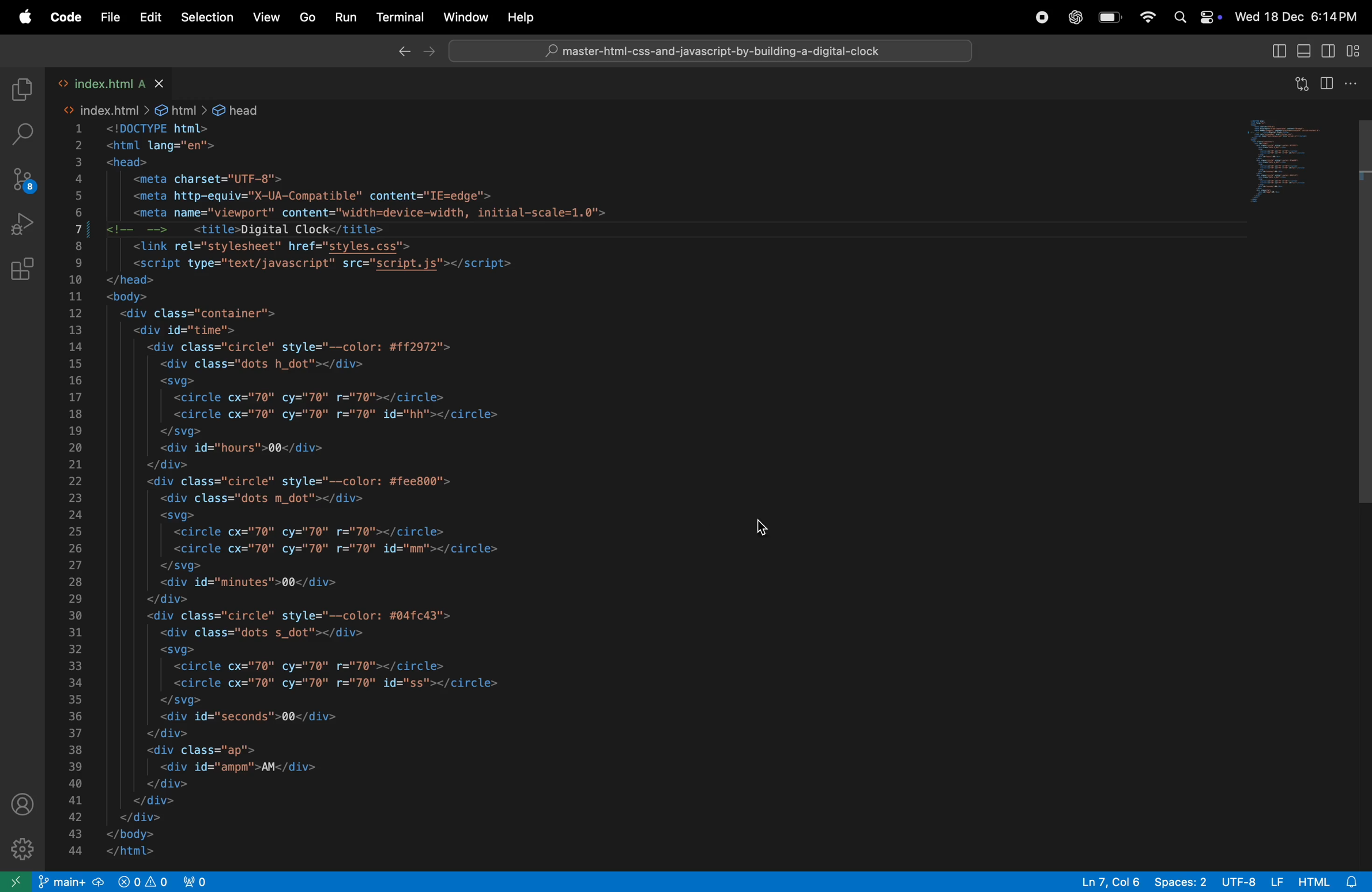  What do you see at coordinates (1104, 880) in the screenshot?
I see `ln col 7 and 1` at bounding box center [1104, 880].